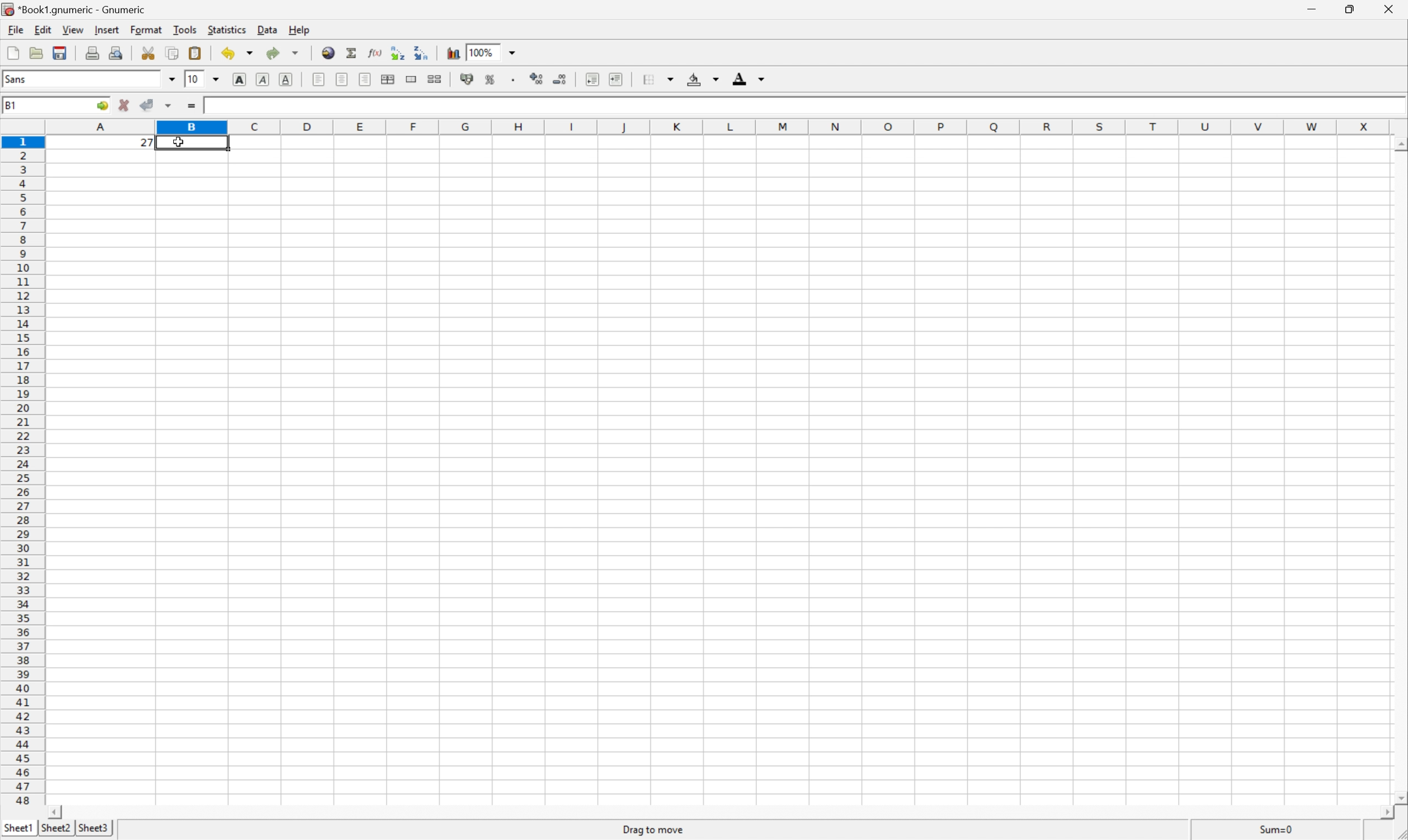  What do you see at coordinates (173, 80) in the screenshot?
I see `Drop Down` at bounding box center [173, 80].